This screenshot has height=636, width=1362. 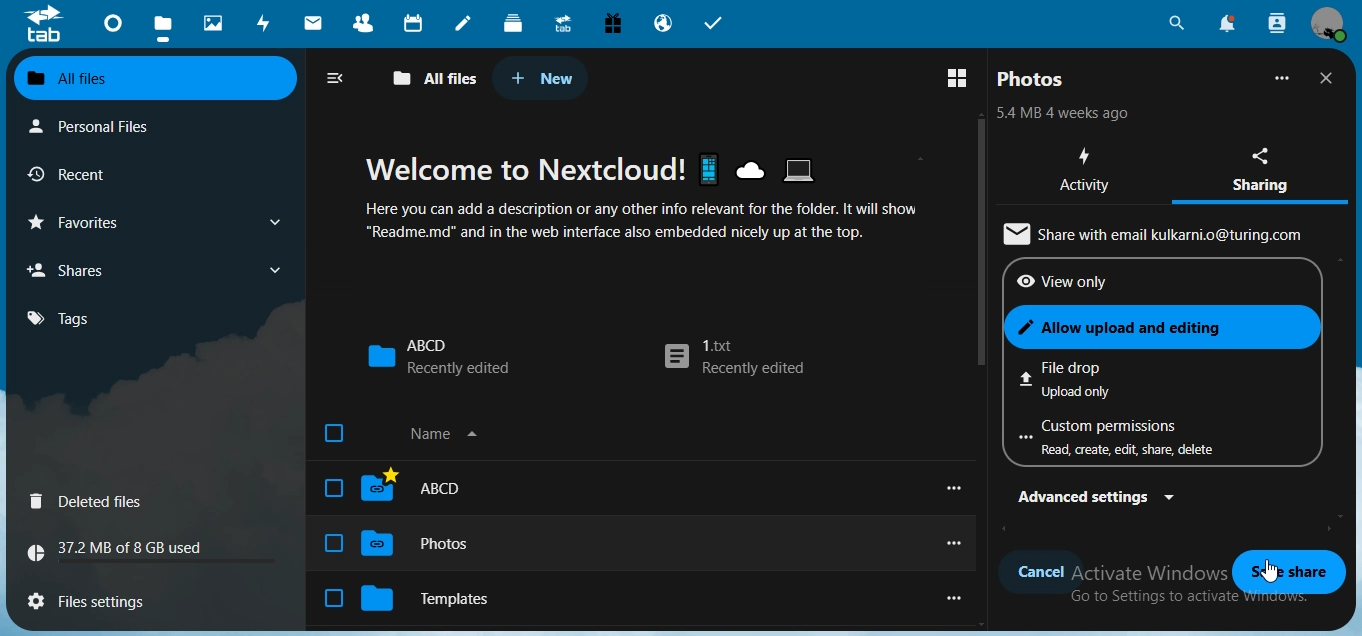 I want to click on view only, so click(x=1093, y=282).